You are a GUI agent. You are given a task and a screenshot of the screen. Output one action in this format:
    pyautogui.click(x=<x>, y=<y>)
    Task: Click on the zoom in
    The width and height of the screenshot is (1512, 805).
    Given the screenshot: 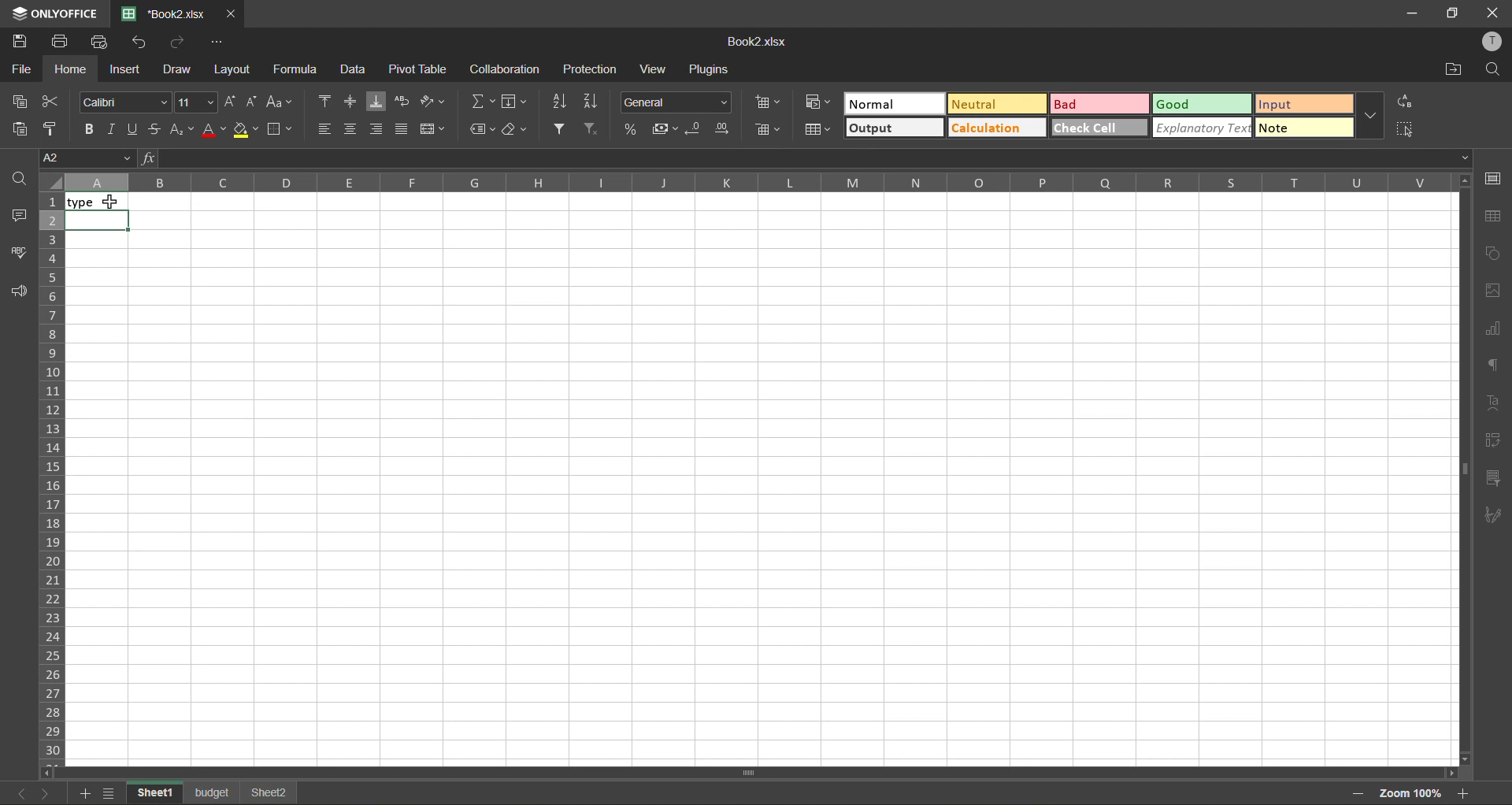 What is the action you would take?
    pyautogui.click(x=1354, y=794)
    